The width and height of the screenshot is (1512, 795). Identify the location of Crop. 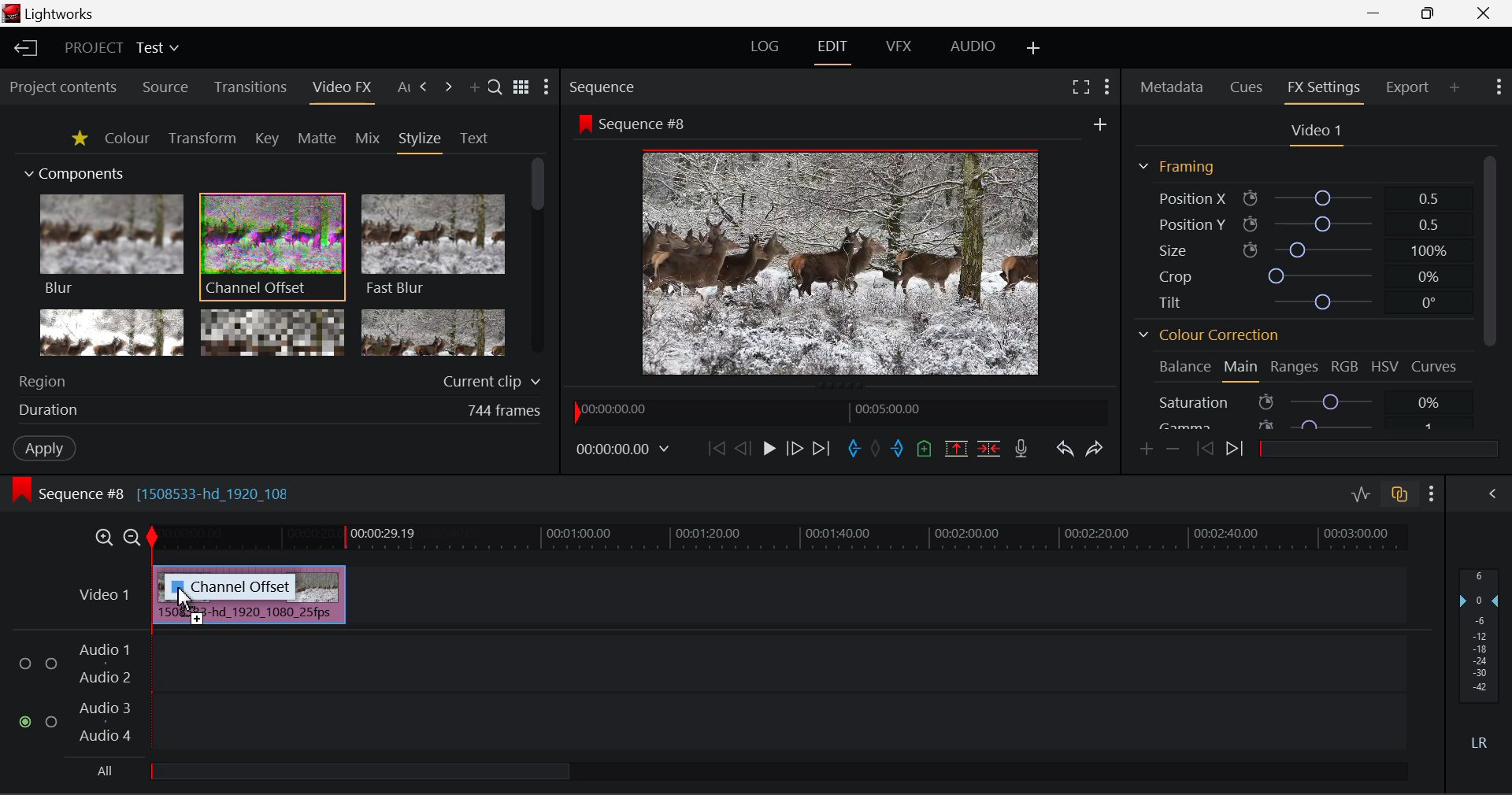
(1301, 275).